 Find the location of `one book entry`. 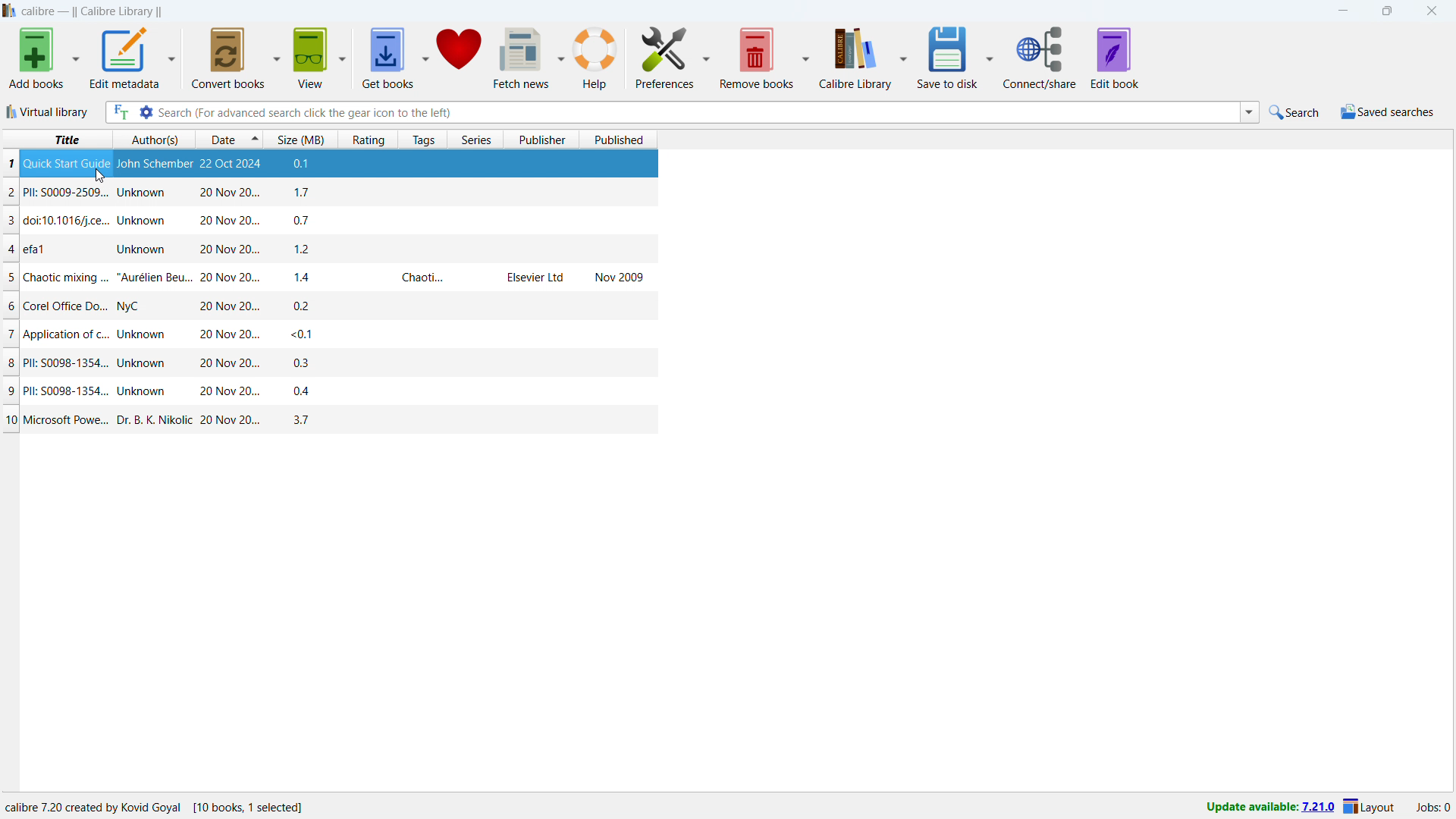

one book entry is located at coordinates (330, 249).